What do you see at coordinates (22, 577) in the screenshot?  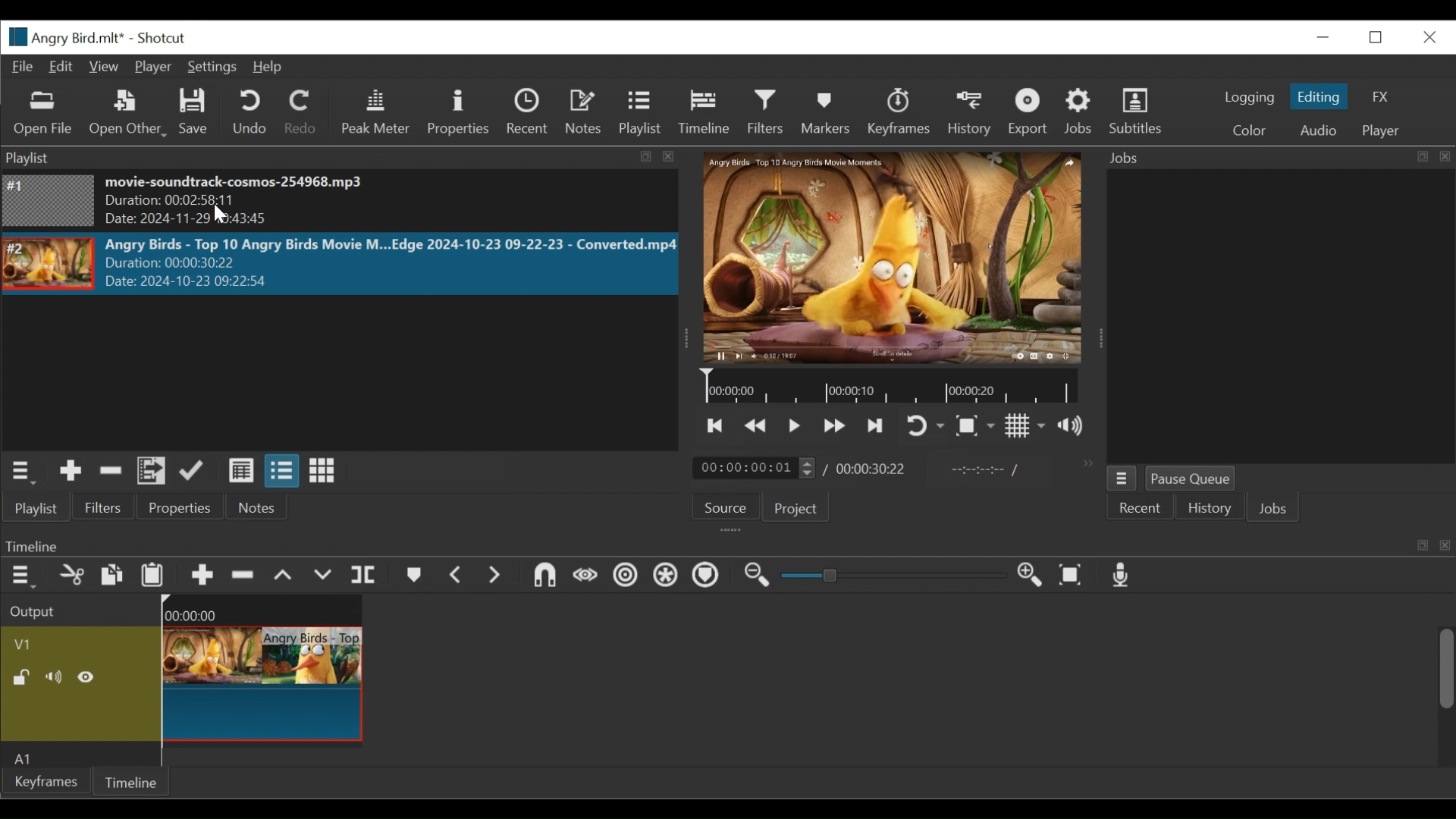 I see `Timeline menu` at bounding box center [22, 577].